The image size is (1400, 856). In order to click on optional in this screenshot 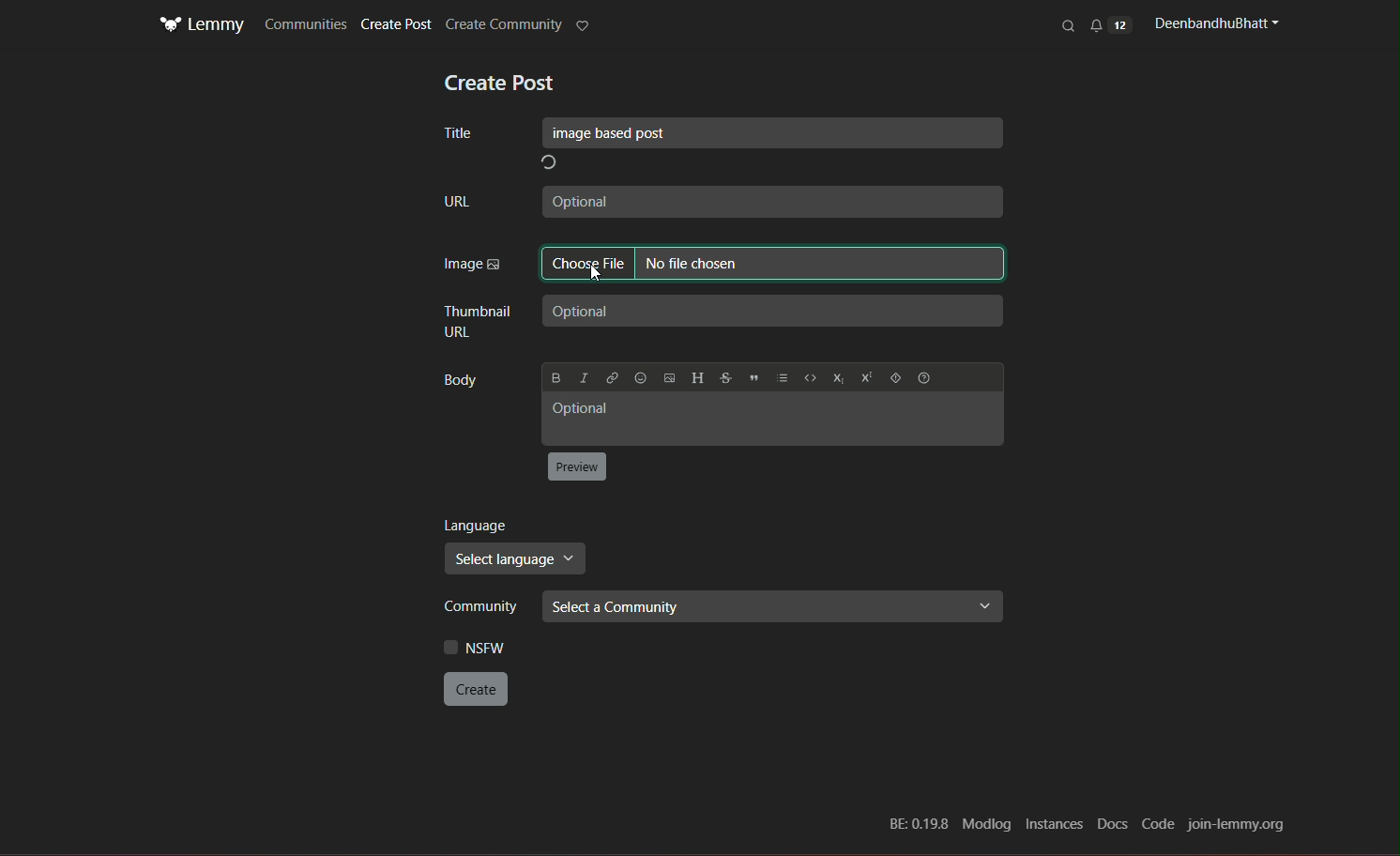, I will do `click(774, 309)`.